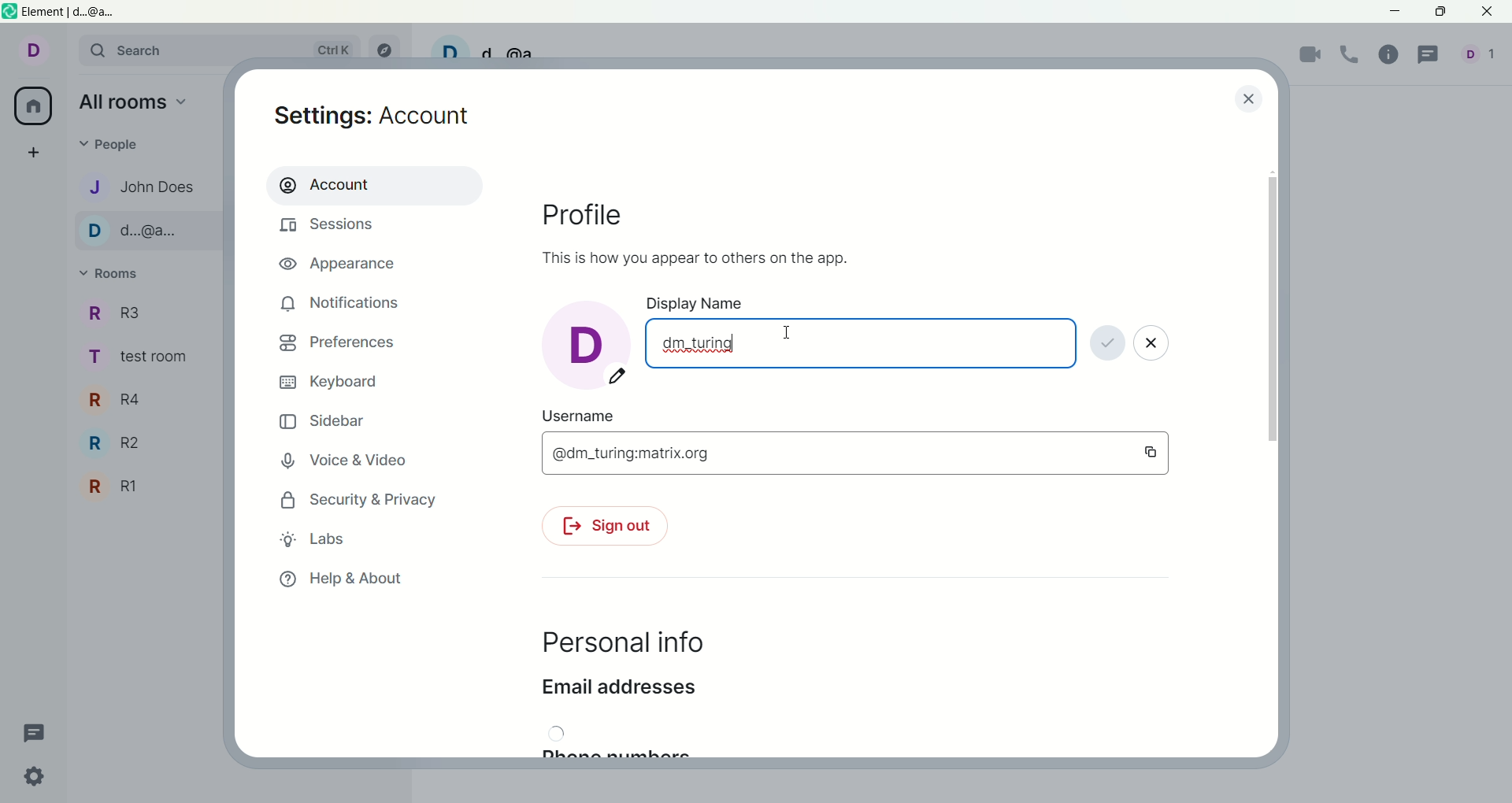 The image size is (1512, 803). Describe the element at coordinates (120, 146) in the screenshot. I see `people` at that location.